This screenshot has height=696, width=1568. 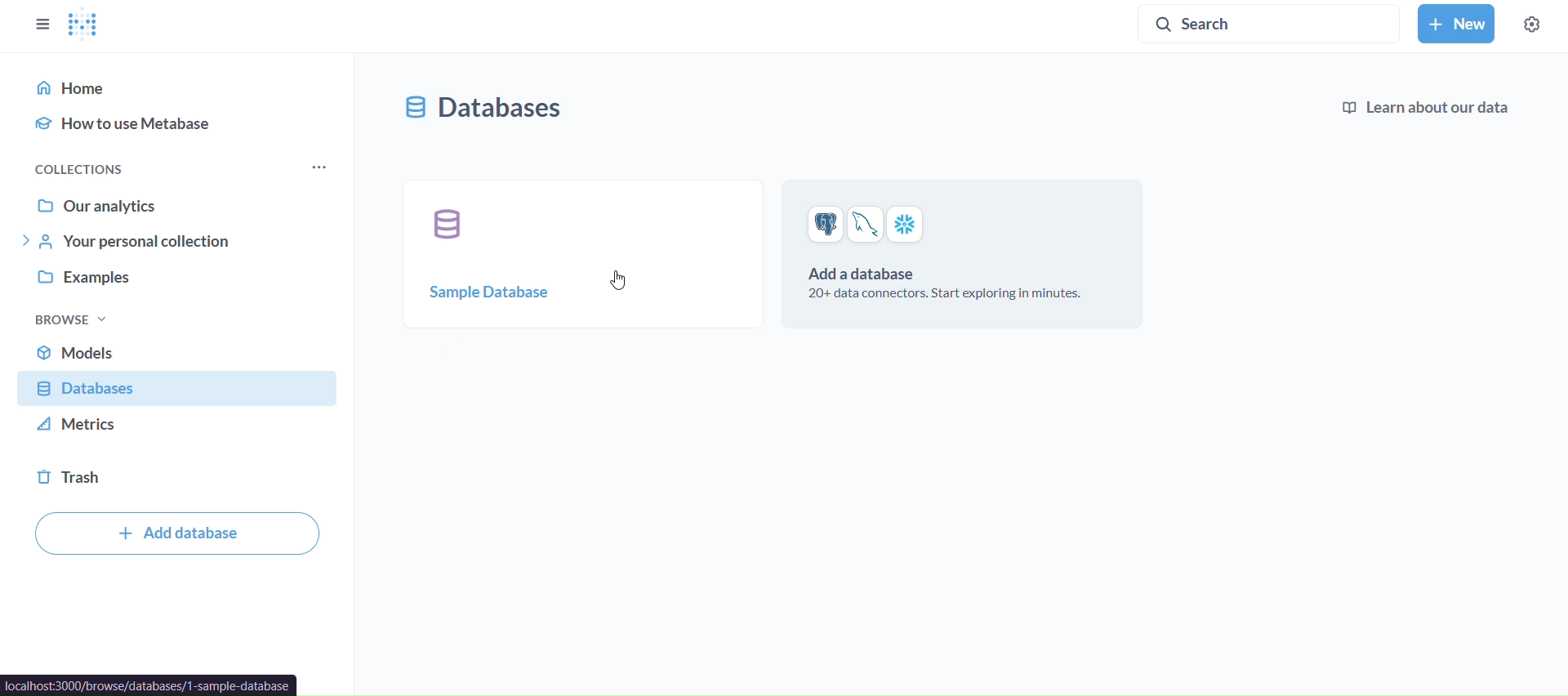 What do you see at coordinates (491, 109) in the screenshot?
I see `database` at bounding box center [491, 109].